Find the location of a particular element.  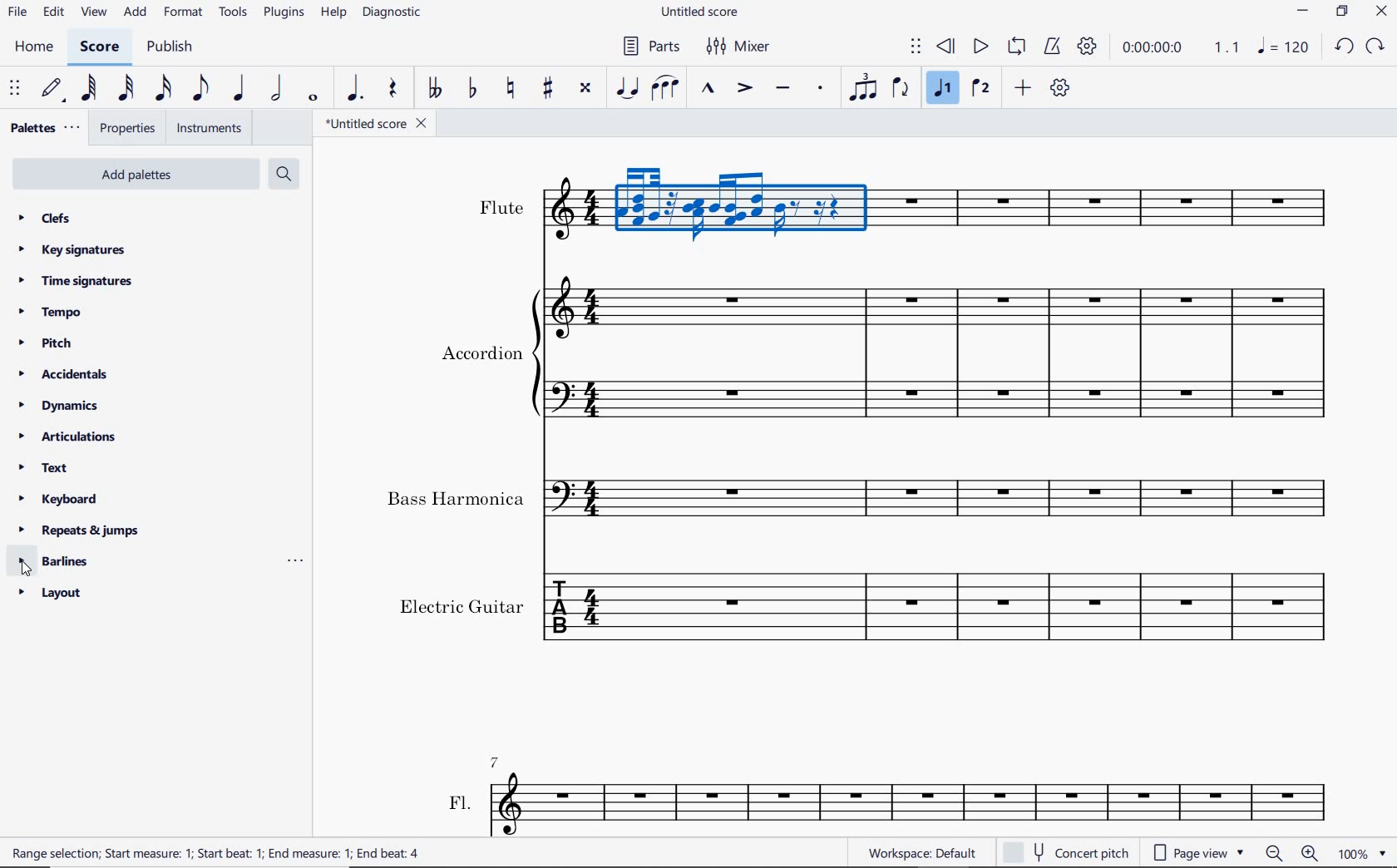

eighth note is located at coordinates (199, 88).